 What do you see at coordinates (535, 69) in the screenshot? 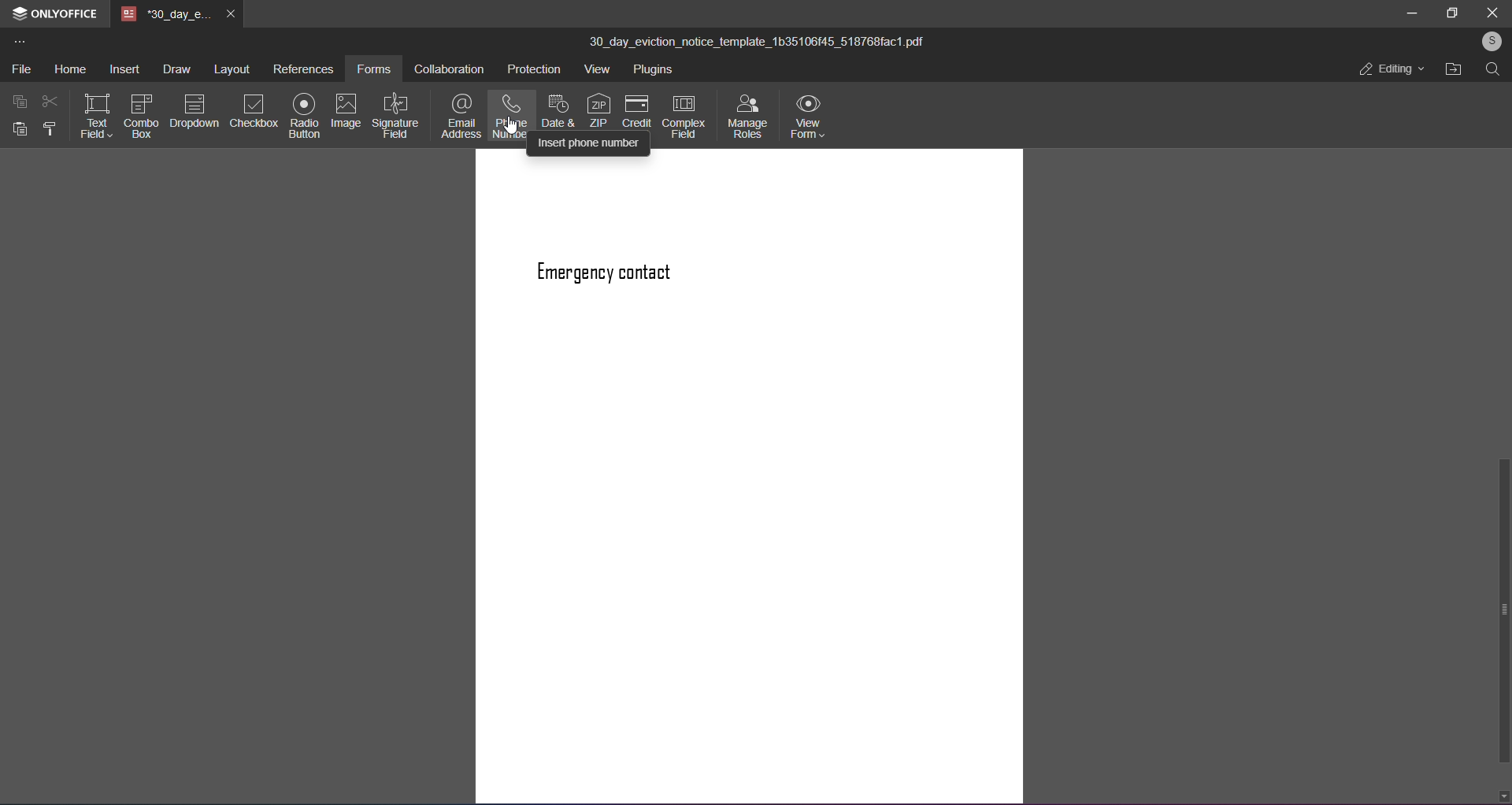
I see `protection` at bounding box center [535, 69].